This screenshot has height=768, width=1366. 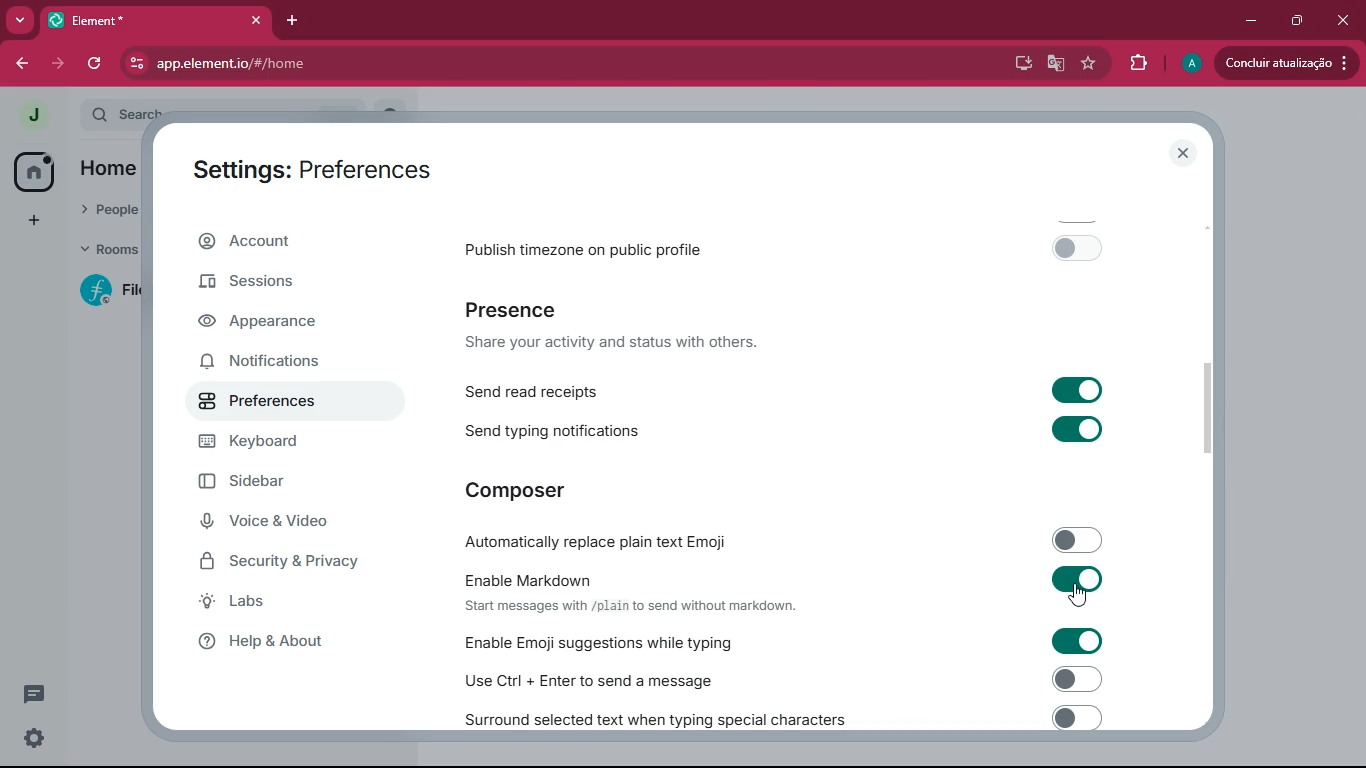 I want to click on refresh, so click(x=97, y=62).